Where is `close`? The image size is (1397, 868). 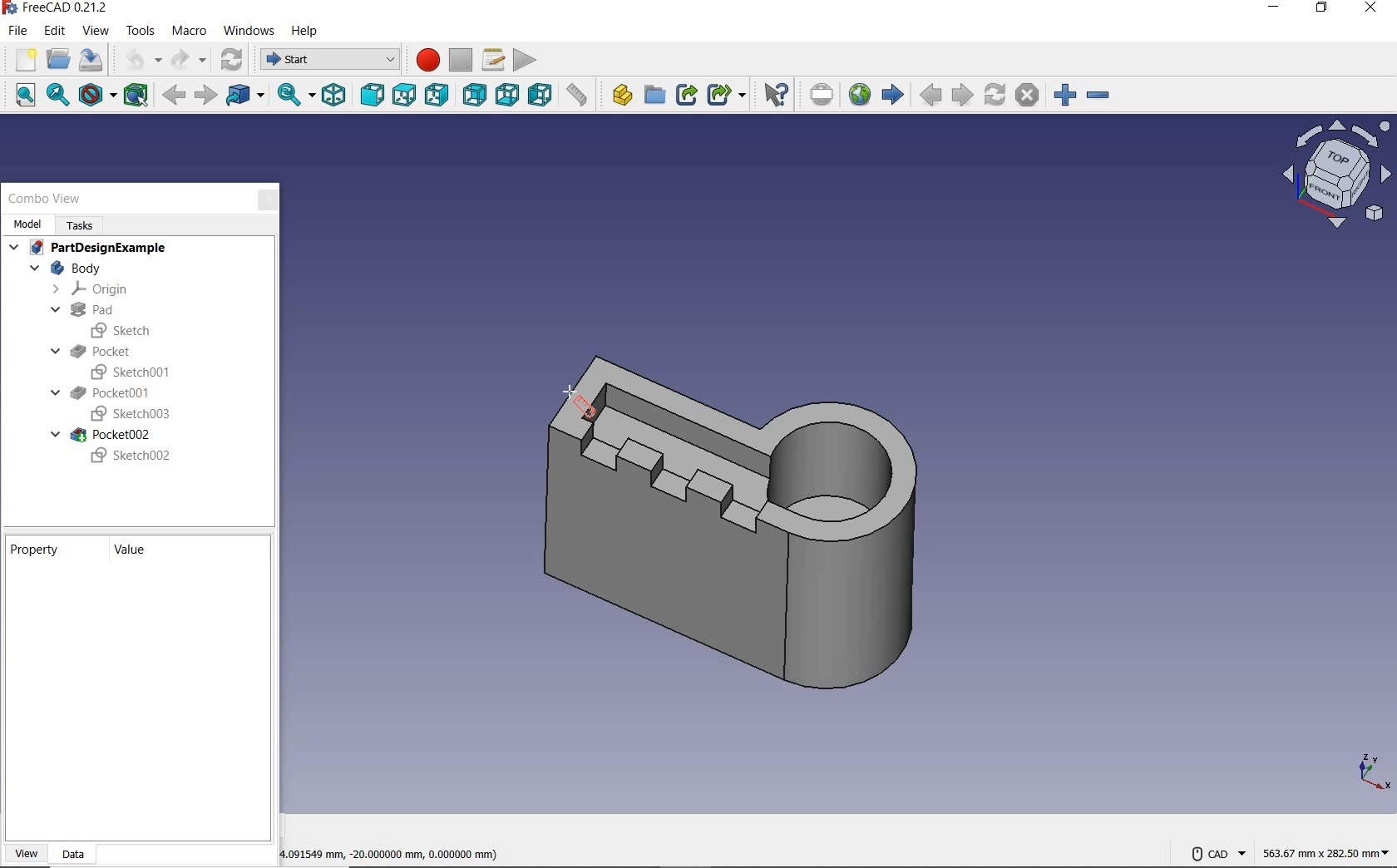
close is located at coordinates (1375, 11).